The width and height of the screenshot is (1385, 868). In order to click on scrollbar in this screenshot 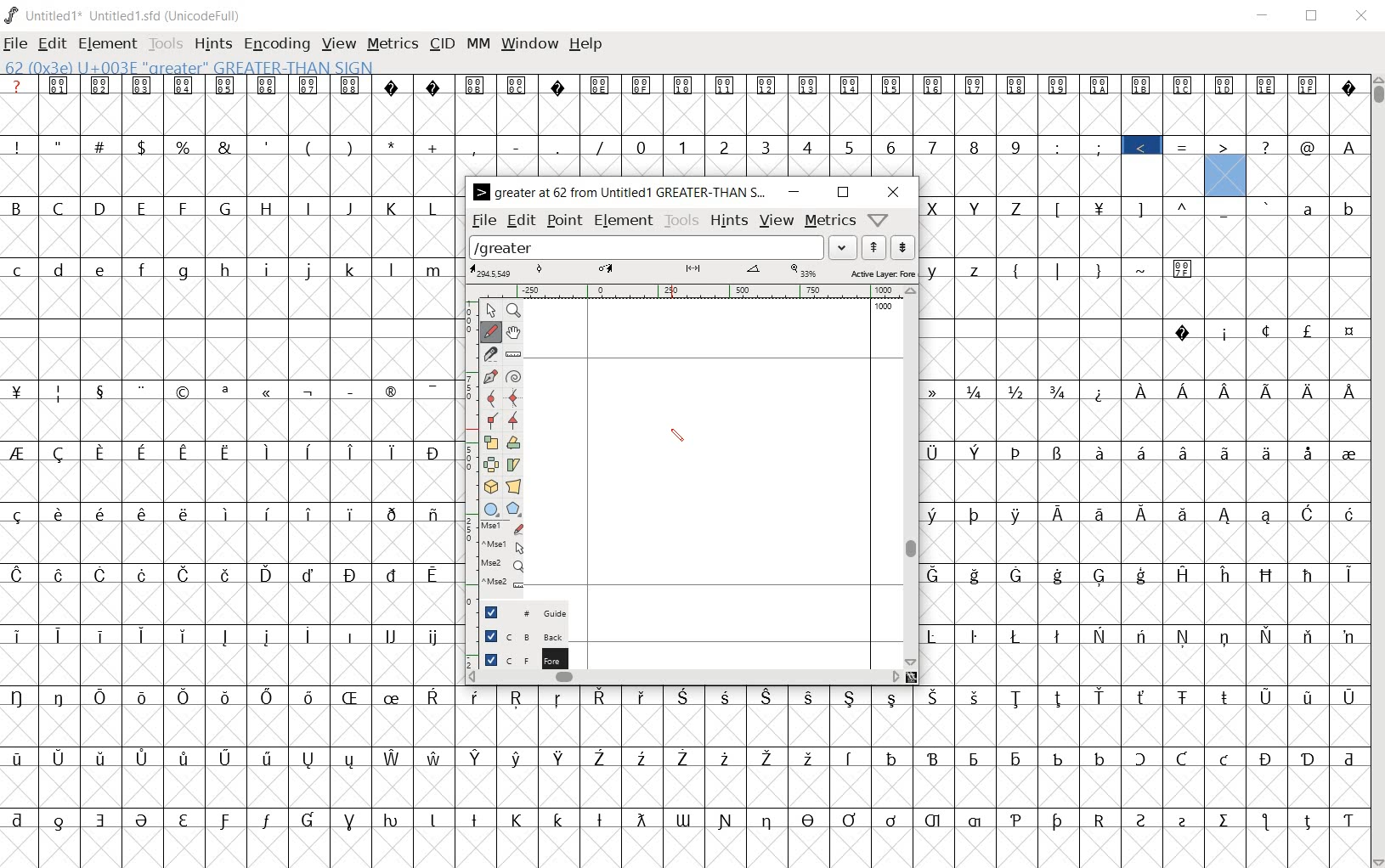, I will do `click(684, 679)`.